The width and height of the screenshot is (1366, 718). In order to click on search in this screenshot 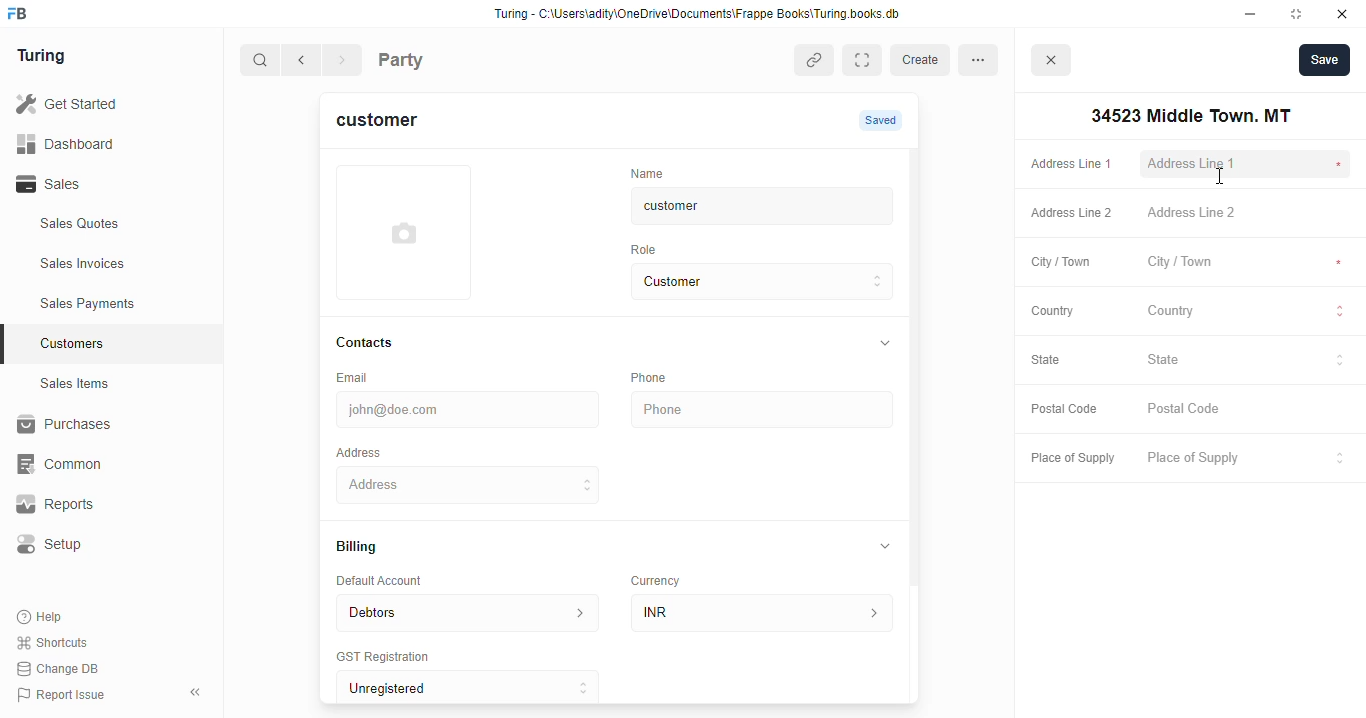, I will do `click(261, 62)`.